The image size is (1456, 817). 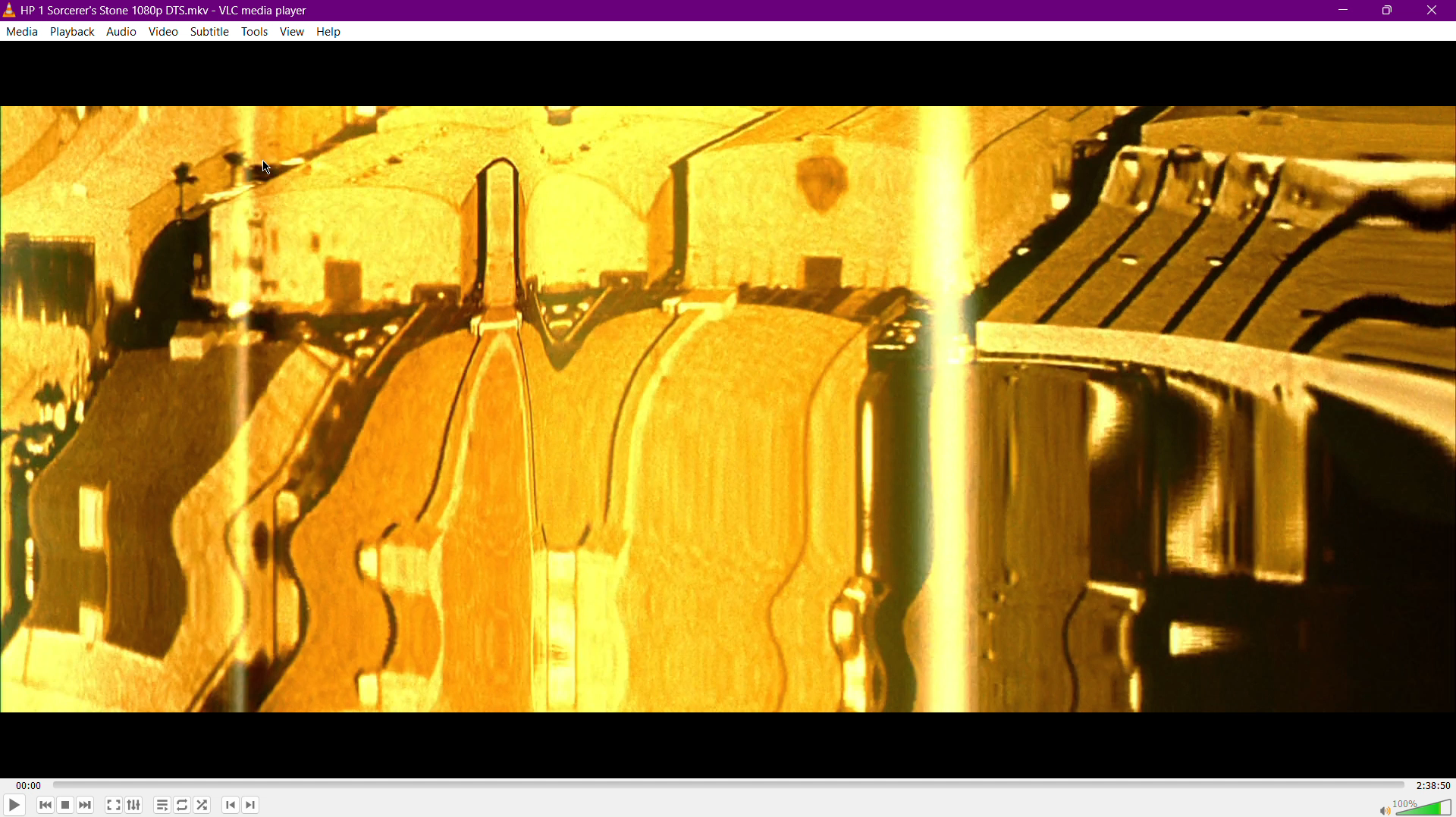 What do you see at coordinates (253, 807) in the screenshot?
I see `Next Chapter` at bounding box center [253, 807].